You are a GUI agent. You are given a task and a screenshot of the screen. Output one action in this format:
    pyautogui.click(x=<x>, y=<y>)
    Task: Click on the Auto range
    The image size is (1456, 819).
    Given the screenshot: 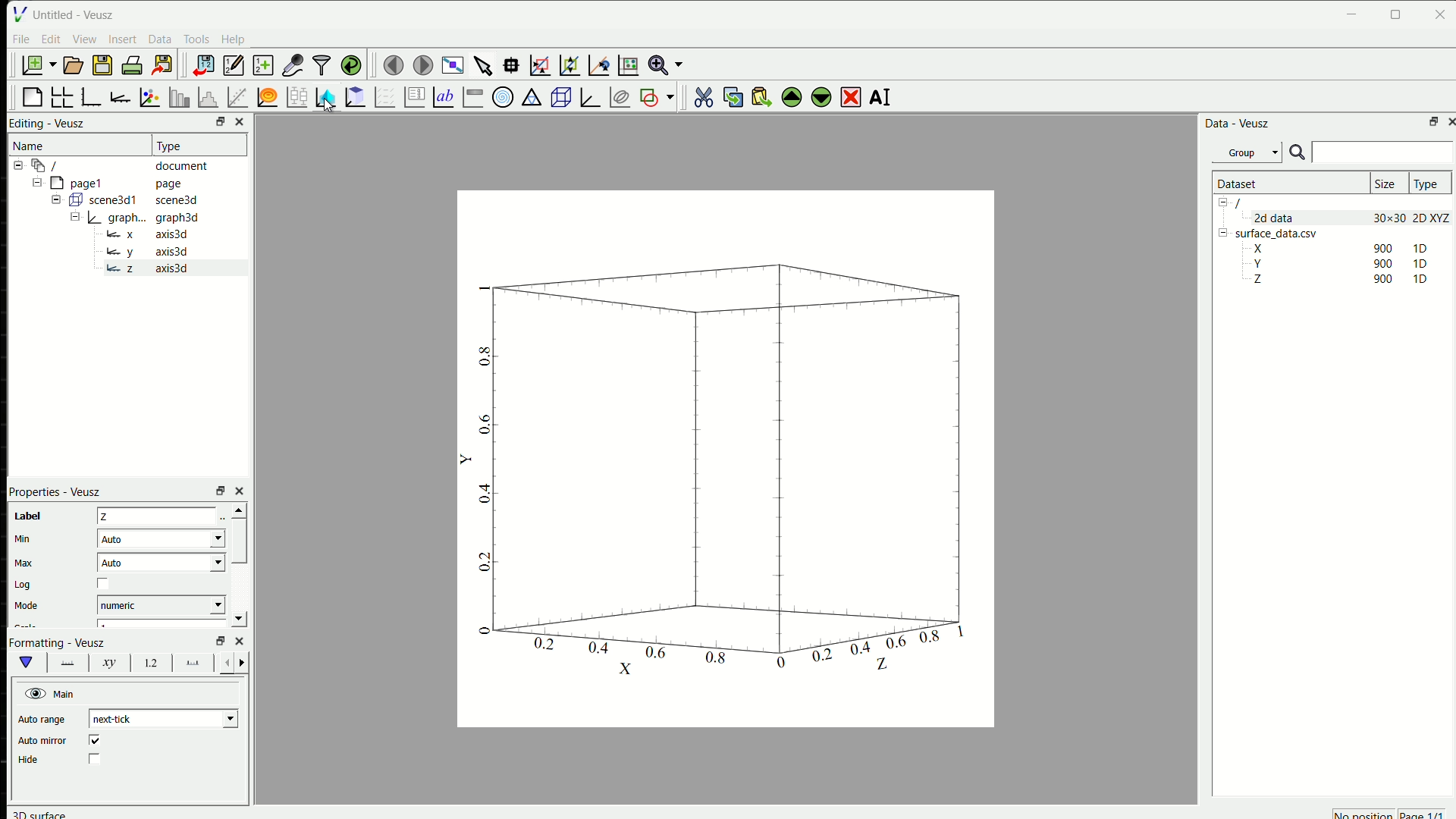 What is the action you would take?
    pyautogui.click(x=42, y=720)
    